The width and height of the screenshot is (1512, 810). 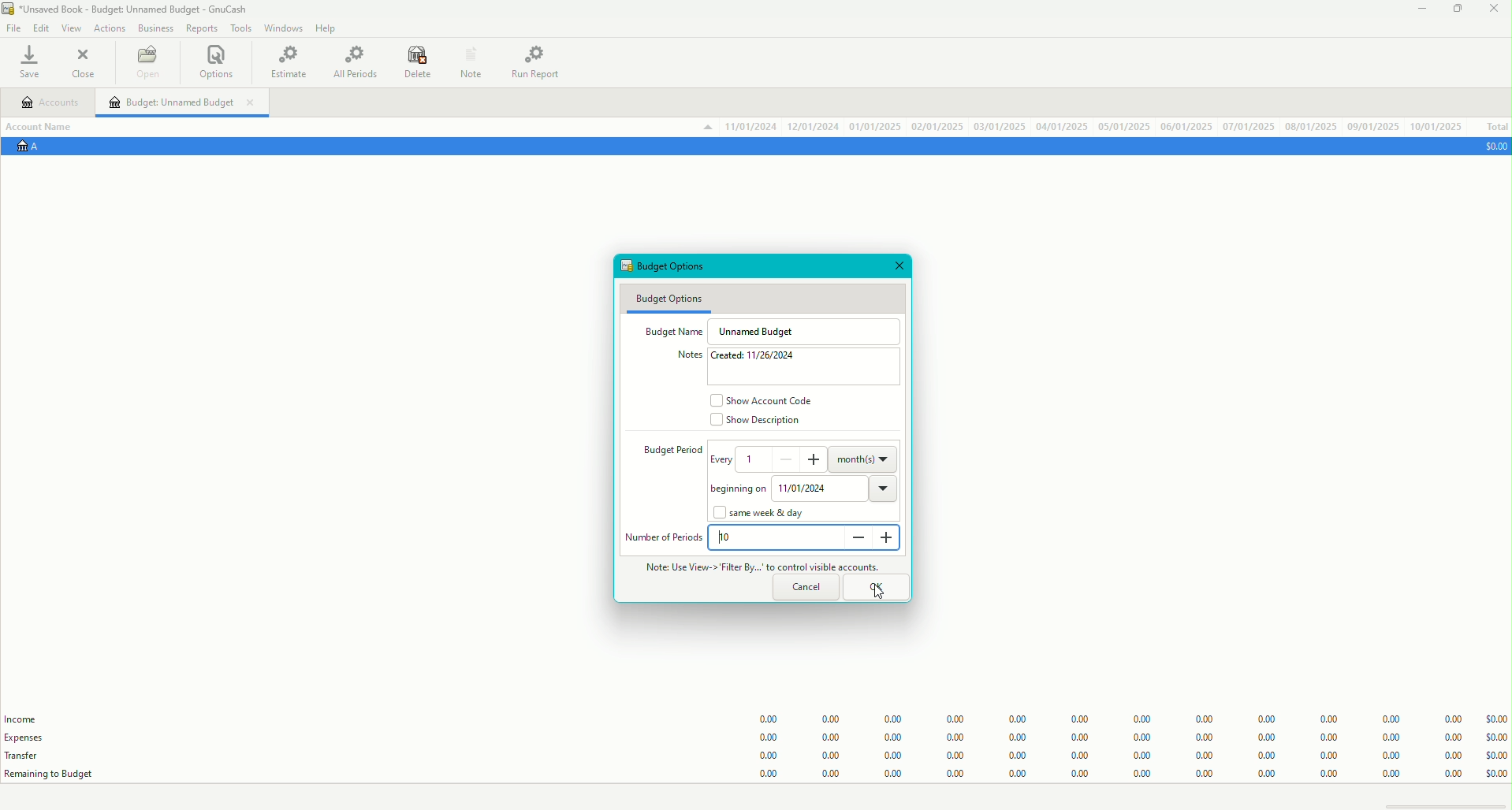 What do you see at coordinates (35, 148) in the screenshot?
I see `Account A` at bounding box center [35, 148].